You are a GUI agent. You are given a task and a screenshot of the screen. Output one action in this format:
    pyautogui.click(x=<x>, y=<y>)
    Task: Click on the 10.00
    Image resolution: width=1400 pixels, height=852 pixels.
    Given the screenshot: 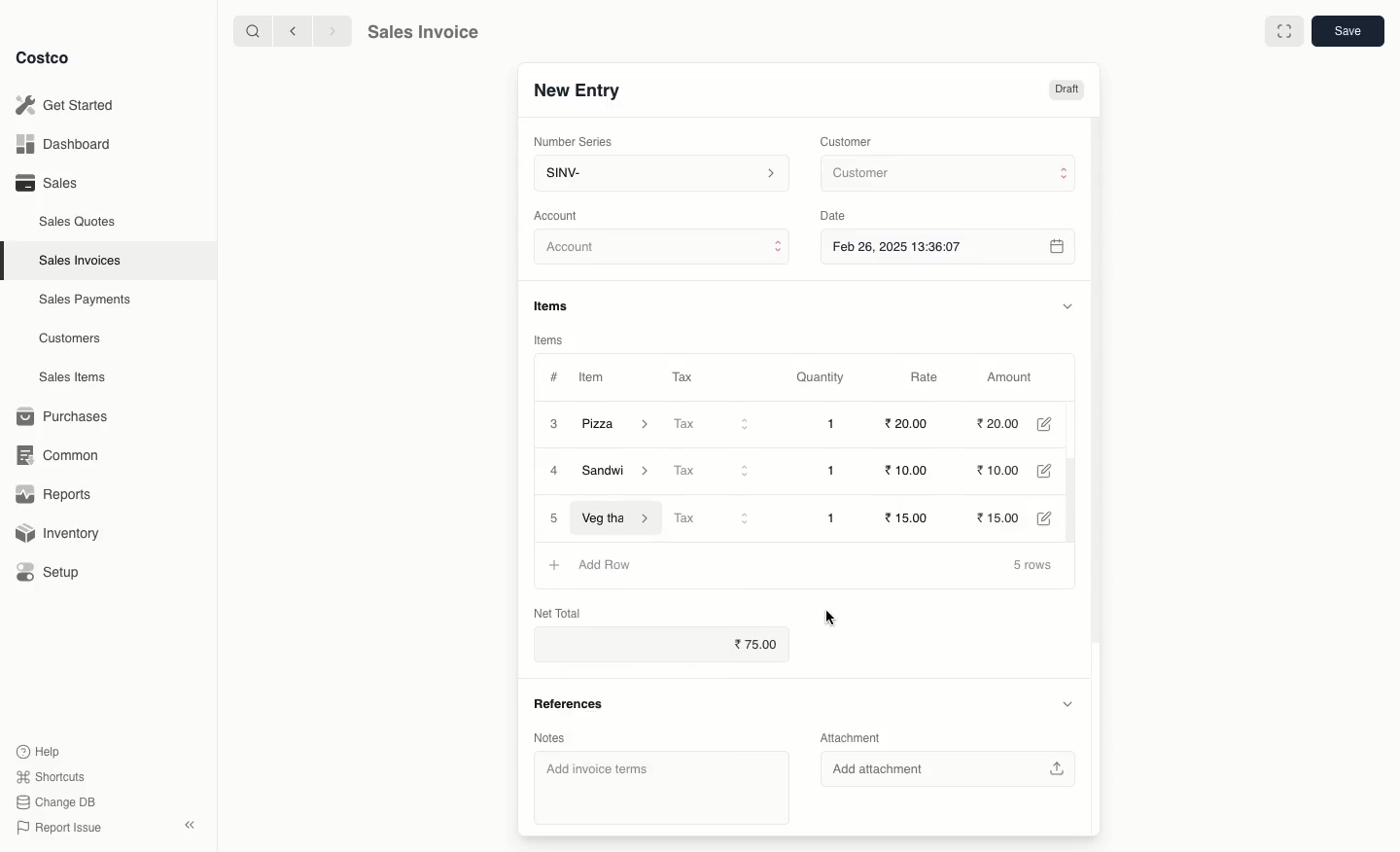 What is the action you would take?
    pyautogui.click(x=1007, y=472)
    